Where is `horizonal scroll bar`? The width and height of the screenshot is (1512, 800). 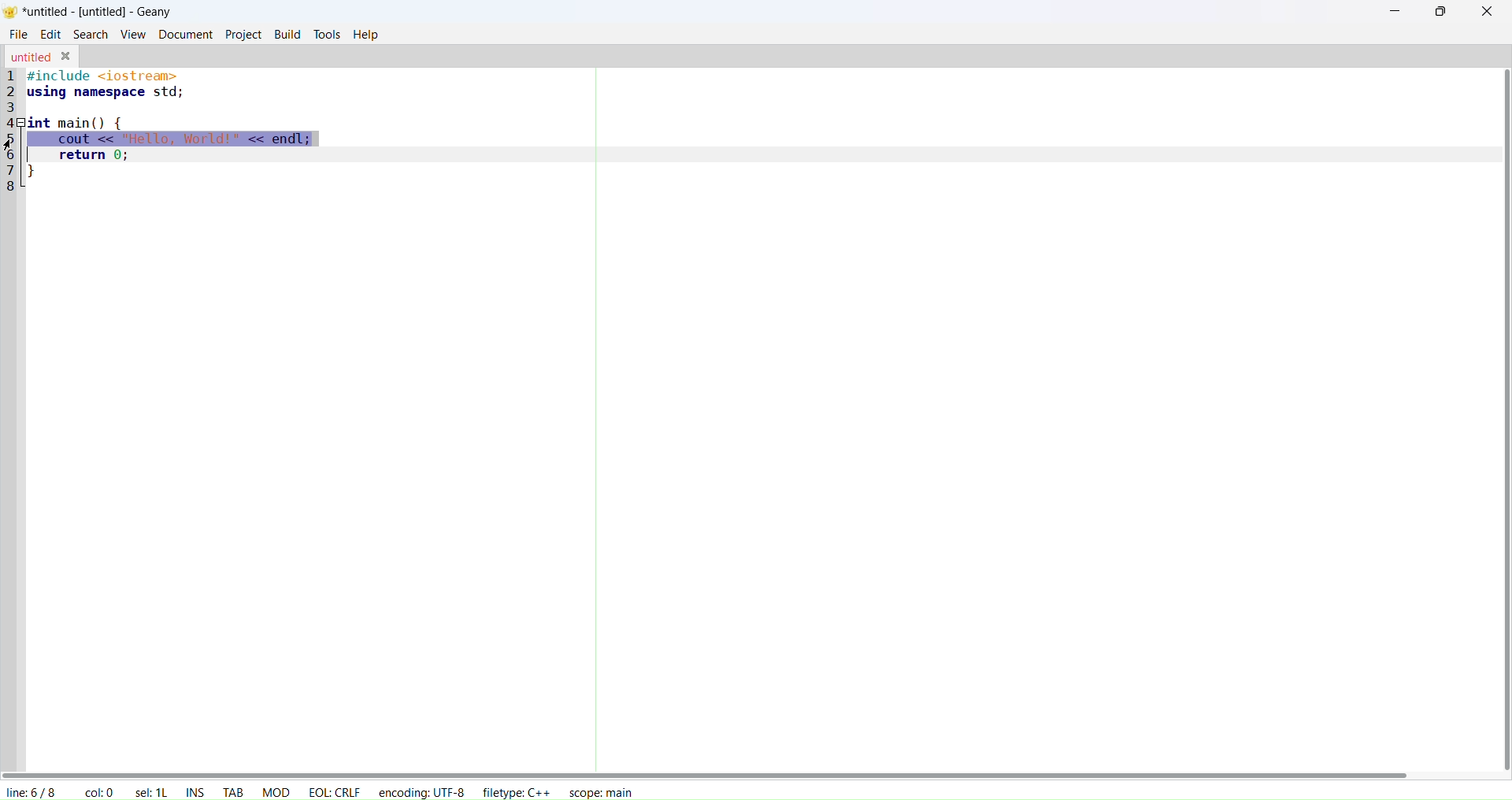 horizonal scroll bar is located at coordinates (705, 770).